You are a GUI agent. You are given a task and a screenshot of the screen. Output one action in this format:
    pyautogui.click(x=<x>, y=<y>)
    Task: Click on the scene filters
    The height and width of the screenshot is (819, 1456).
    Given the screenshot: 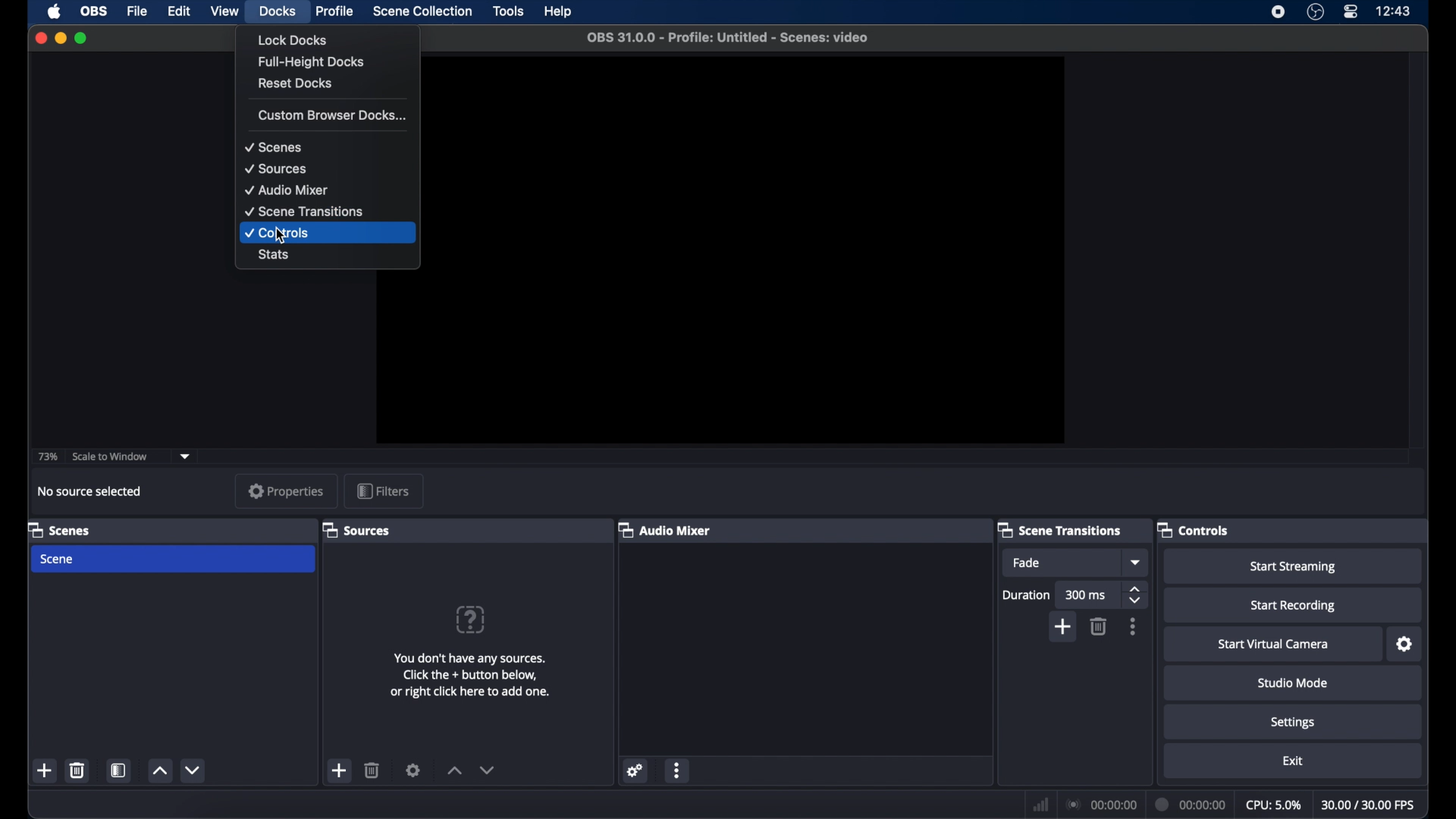 What is the action you would take?
    pyautogui.click(x=119, y=770)
    